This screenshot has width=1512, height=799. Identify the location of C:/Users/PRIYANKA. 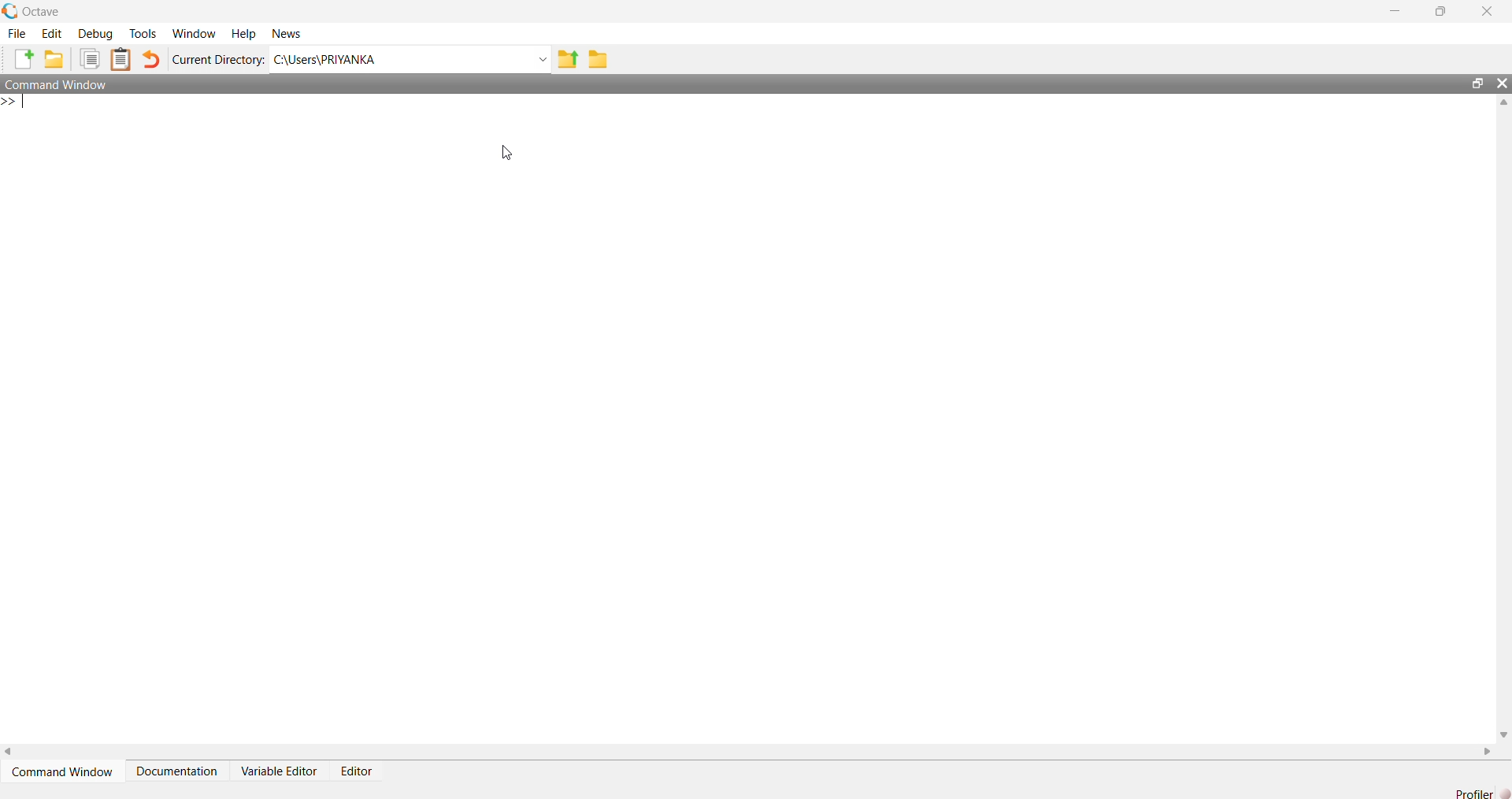
(396, 59).